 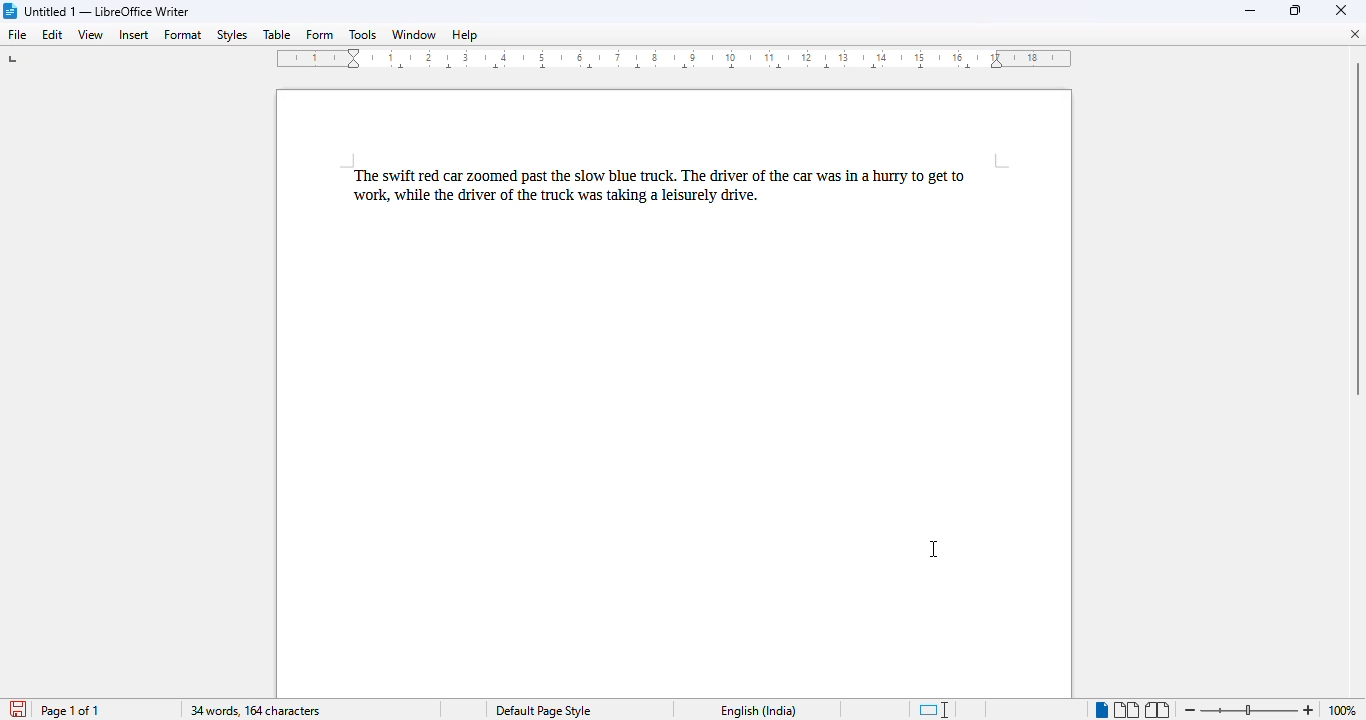 What do you see at coordinates (1248, 711) in the screenshot?
I see `Change zoom levele` at bounding box center [1248, 711].